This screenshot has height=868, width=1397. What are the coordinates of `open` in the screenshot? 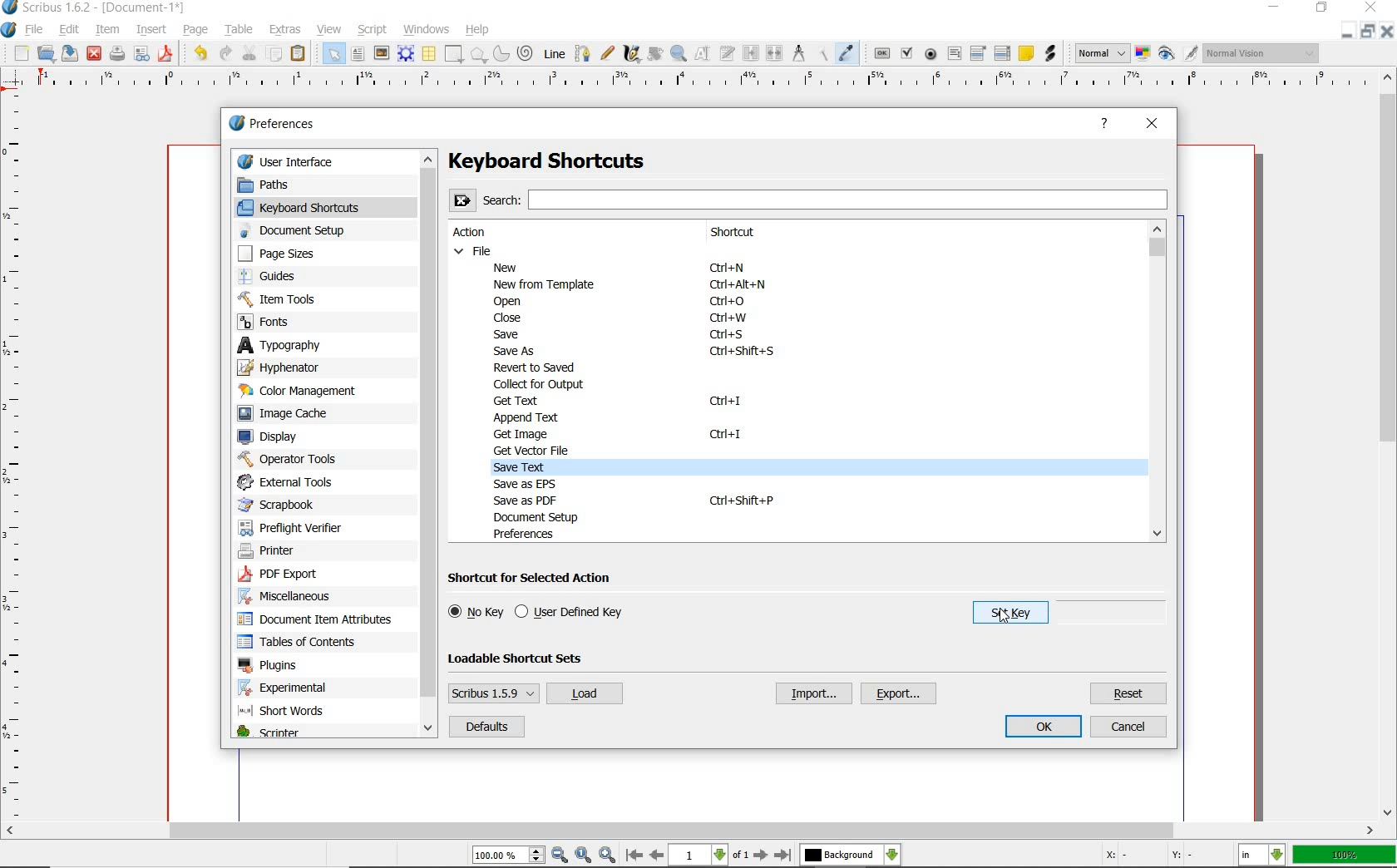 It's located at (513, 302).